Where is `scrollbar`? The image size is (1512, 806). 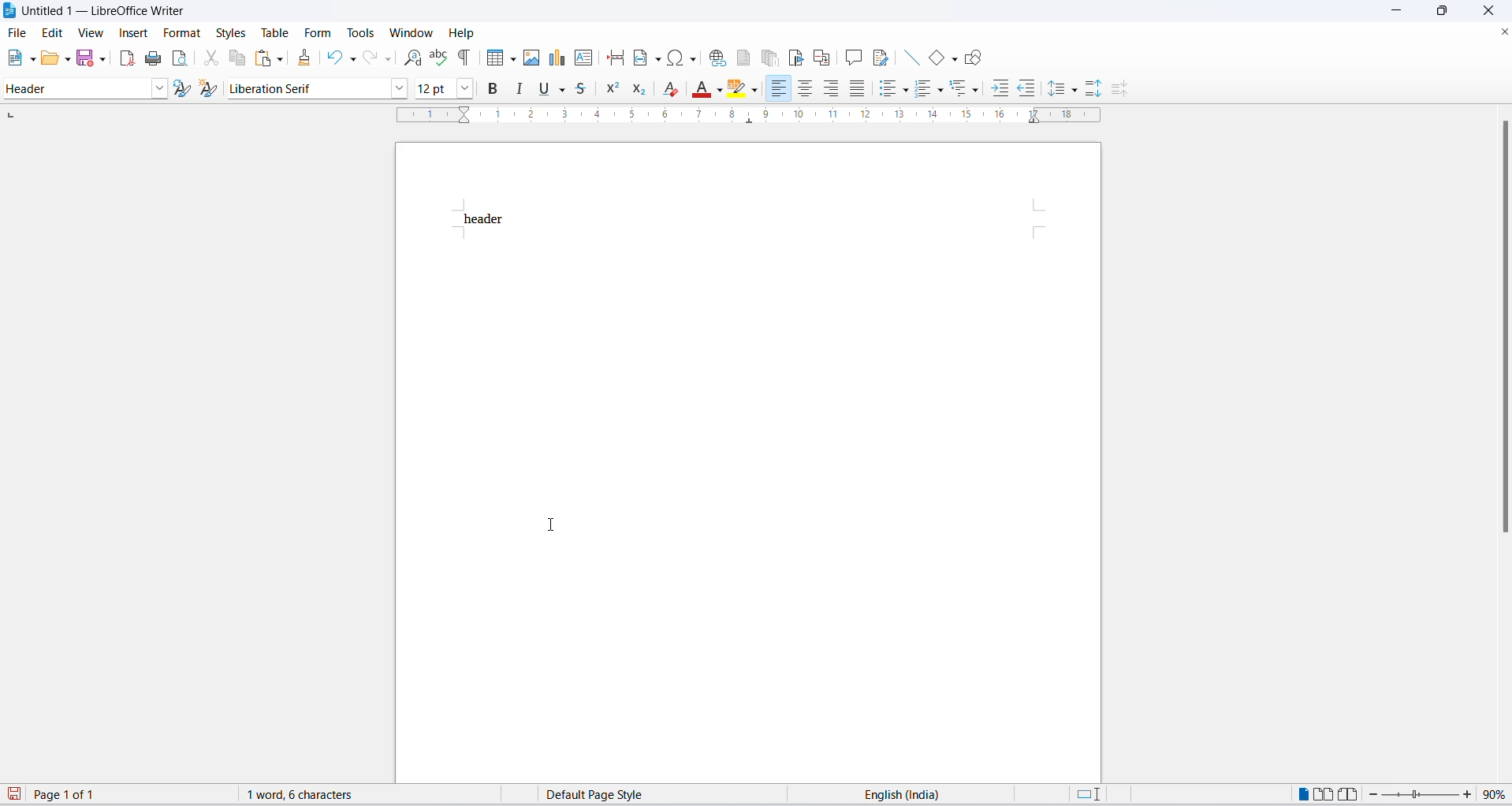
scrollbar is located at coordinates (1501, 330).